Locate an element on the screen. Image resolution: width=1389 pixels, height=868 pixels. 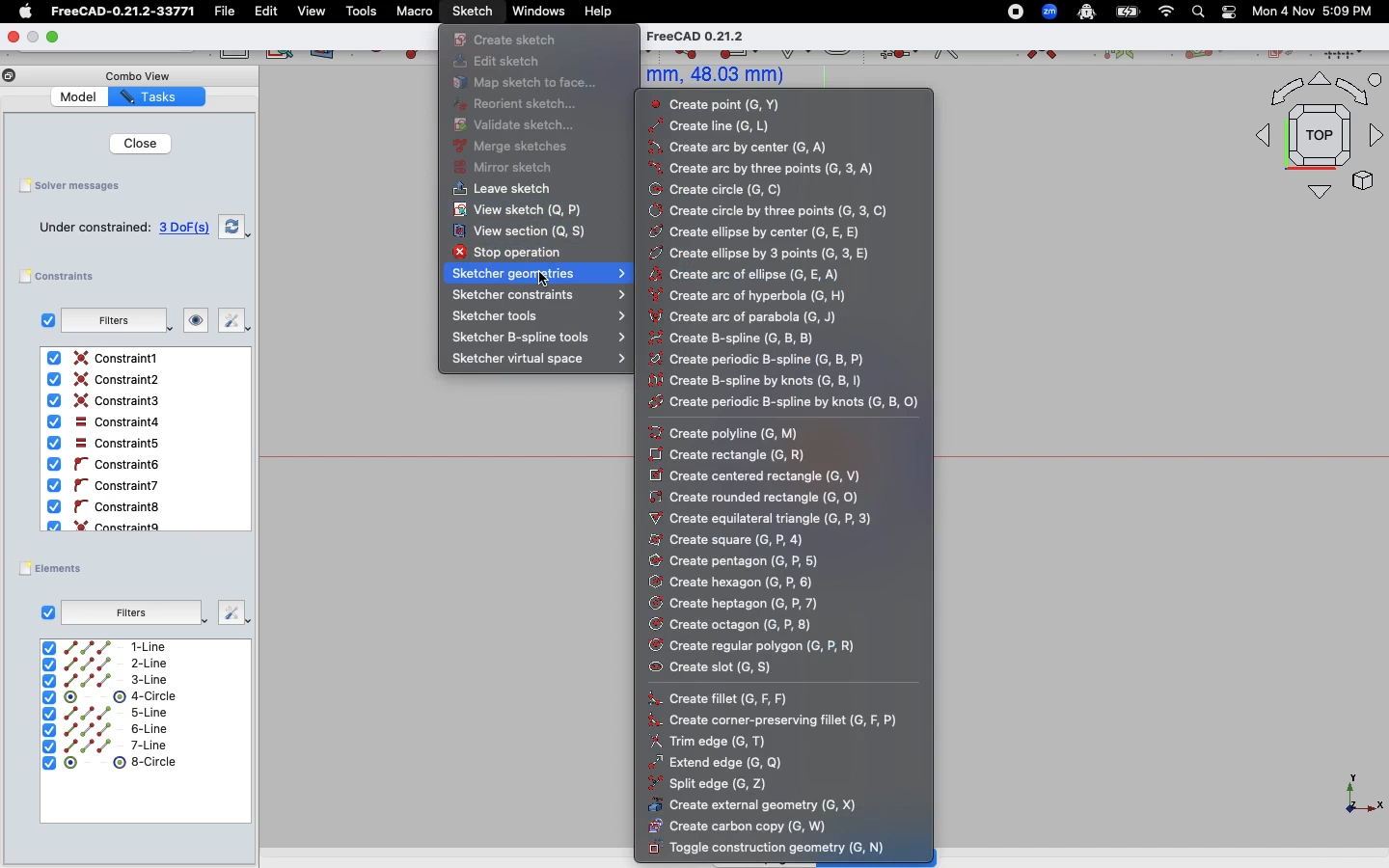
Constraint9 is located at coordinates (109, 525).